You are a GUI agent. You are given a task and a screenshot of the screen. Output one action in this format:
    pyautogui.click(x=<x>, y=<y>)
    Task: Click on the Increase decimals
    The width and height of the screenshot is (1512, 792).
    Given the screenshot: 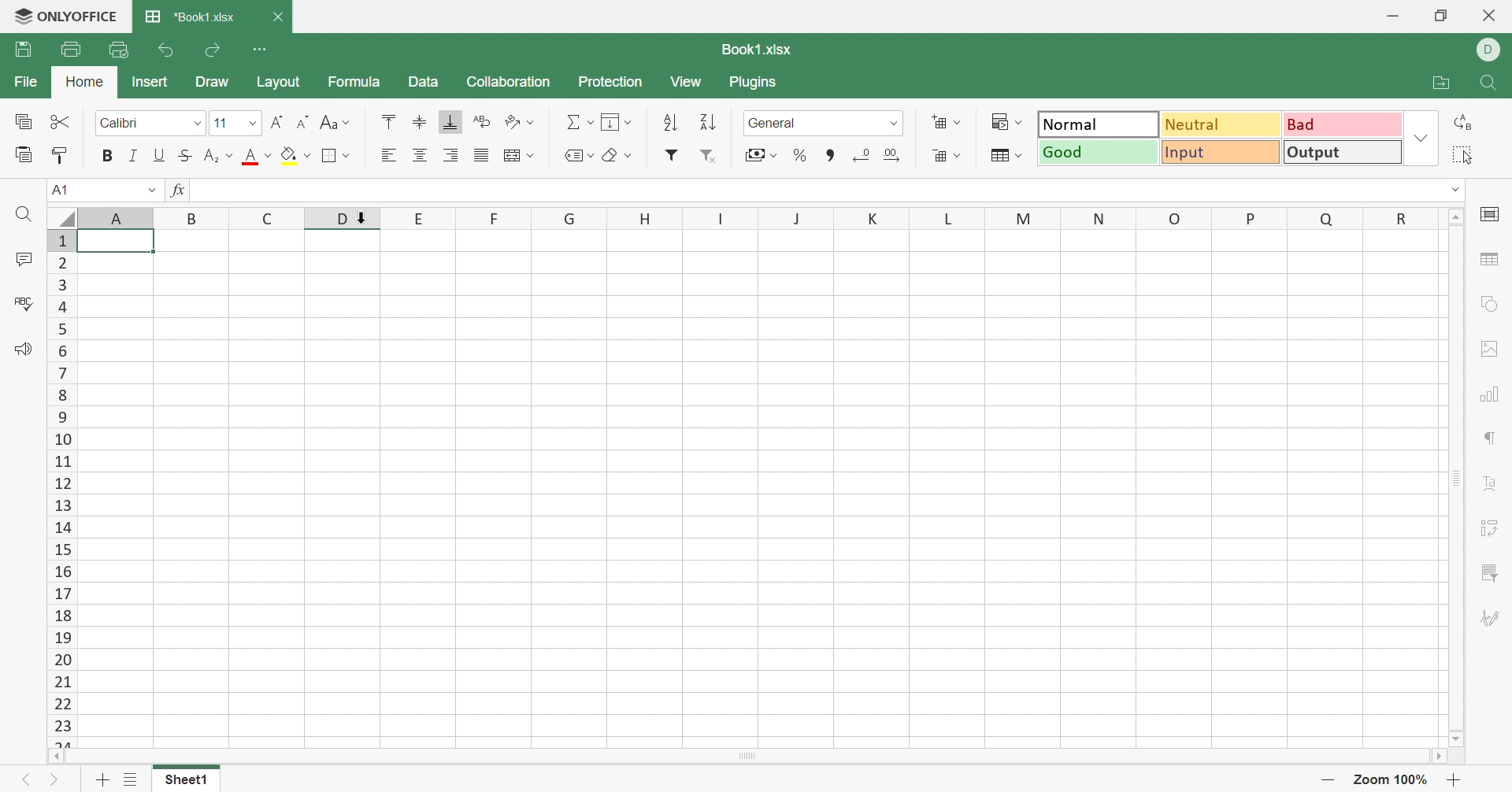 What is the action you would take?
    pyautogui.click(x=893, y=156)
    